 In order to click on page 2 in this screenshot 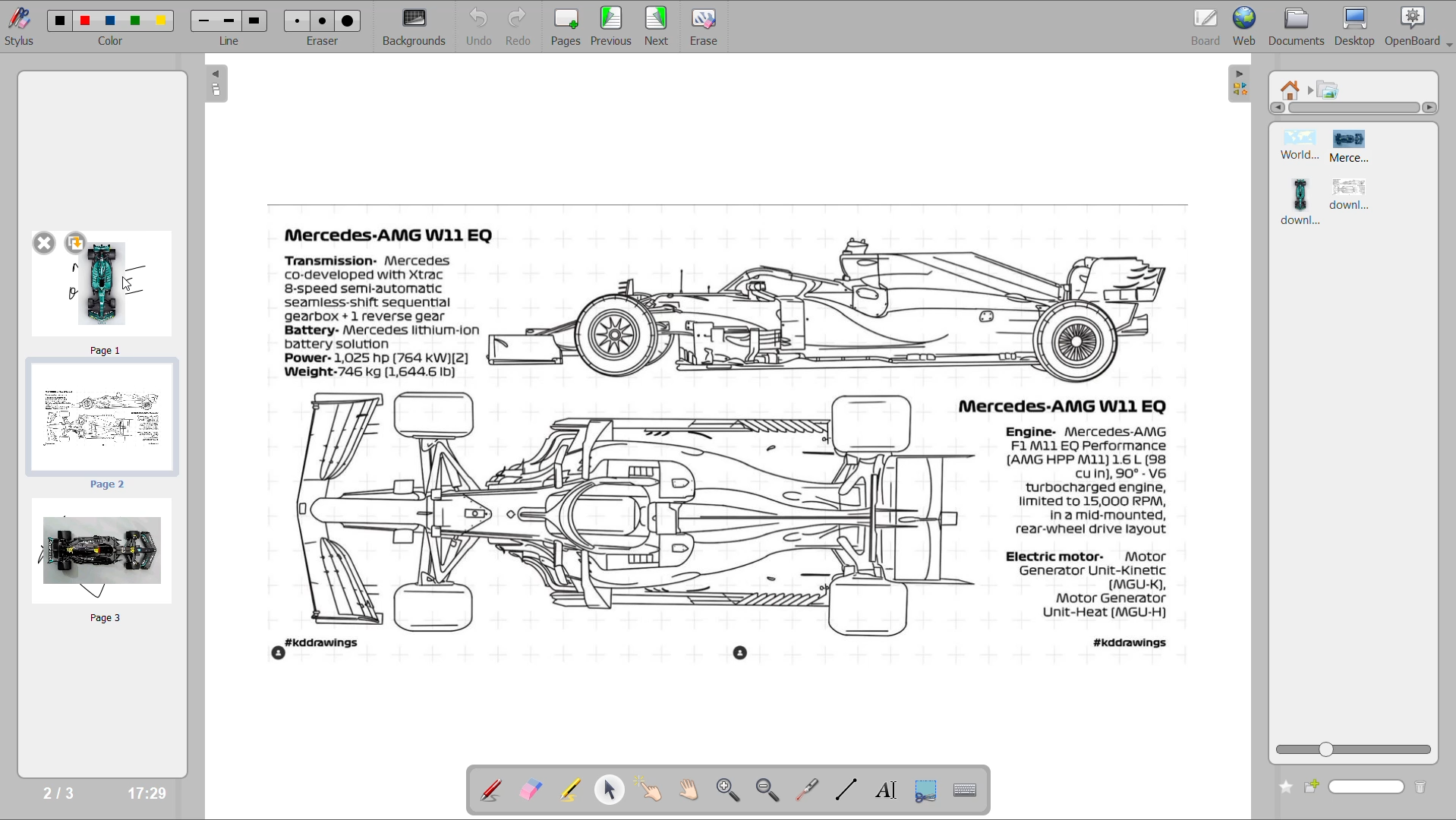, I will do `click(104, 424)`.